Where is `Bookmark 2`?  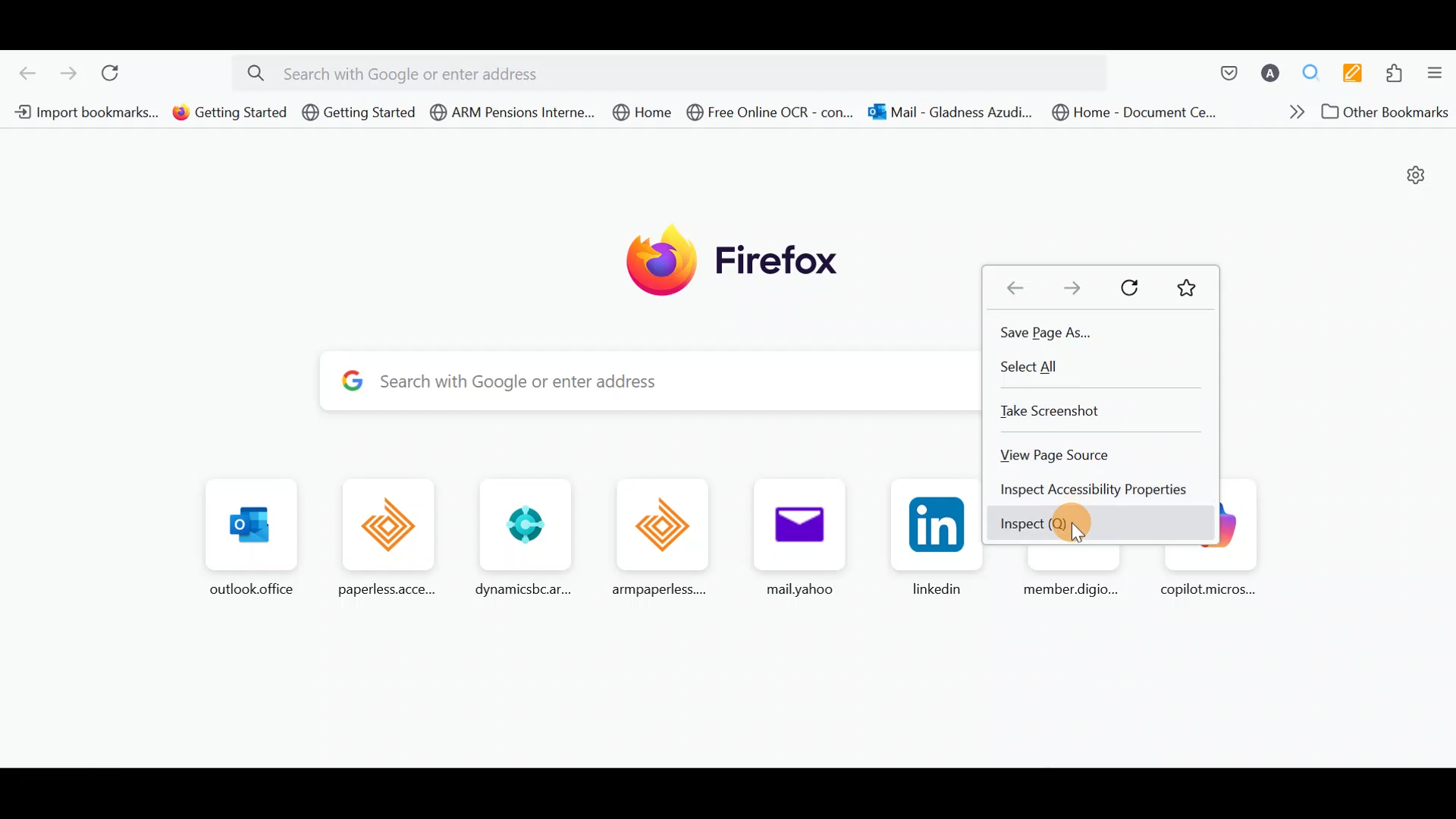
Bookmark 2 is located at coordinates (226, 116).